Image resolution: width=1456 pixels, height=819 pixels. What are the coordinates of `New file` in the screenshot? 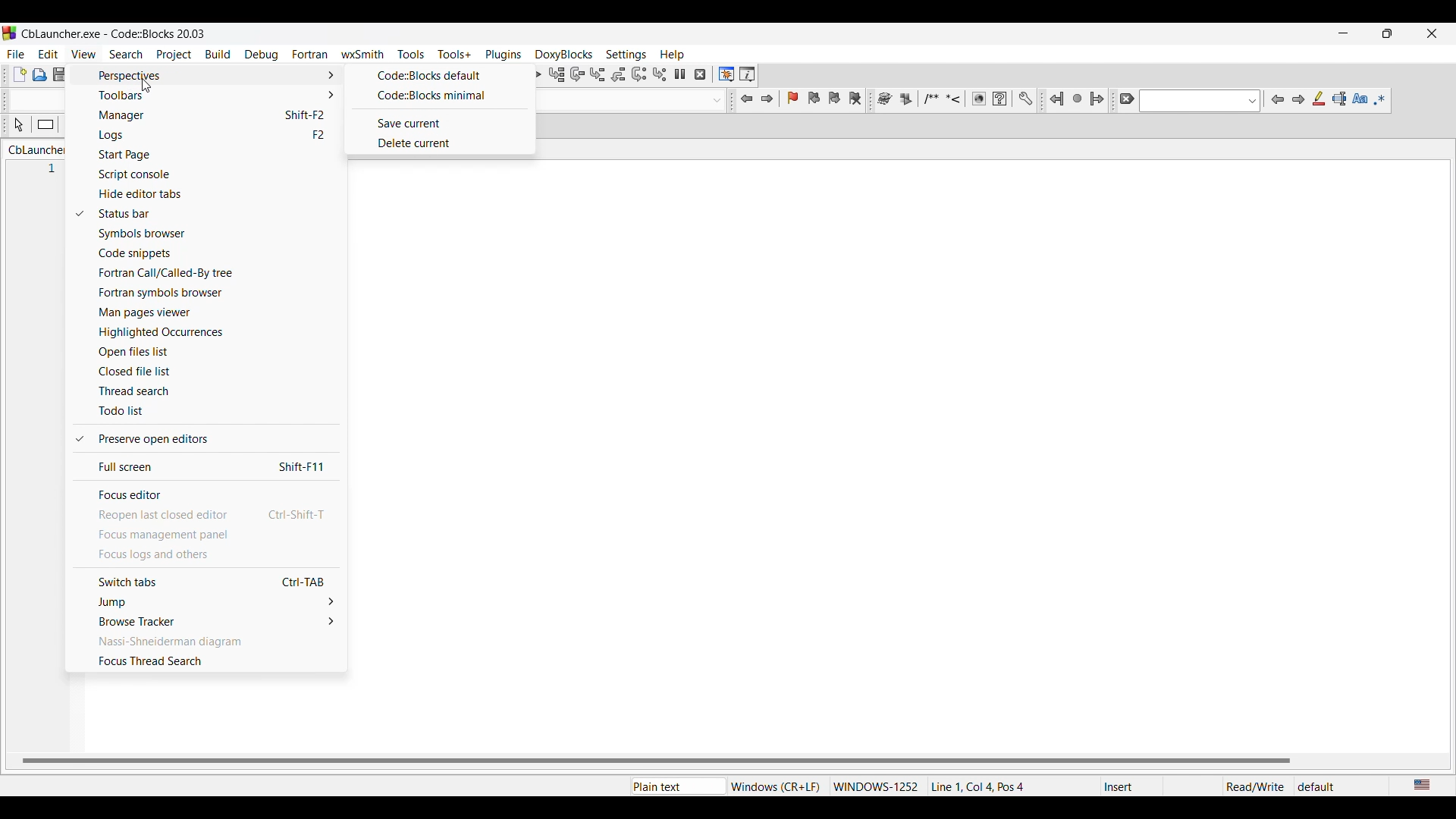 It's located at (20, 74).